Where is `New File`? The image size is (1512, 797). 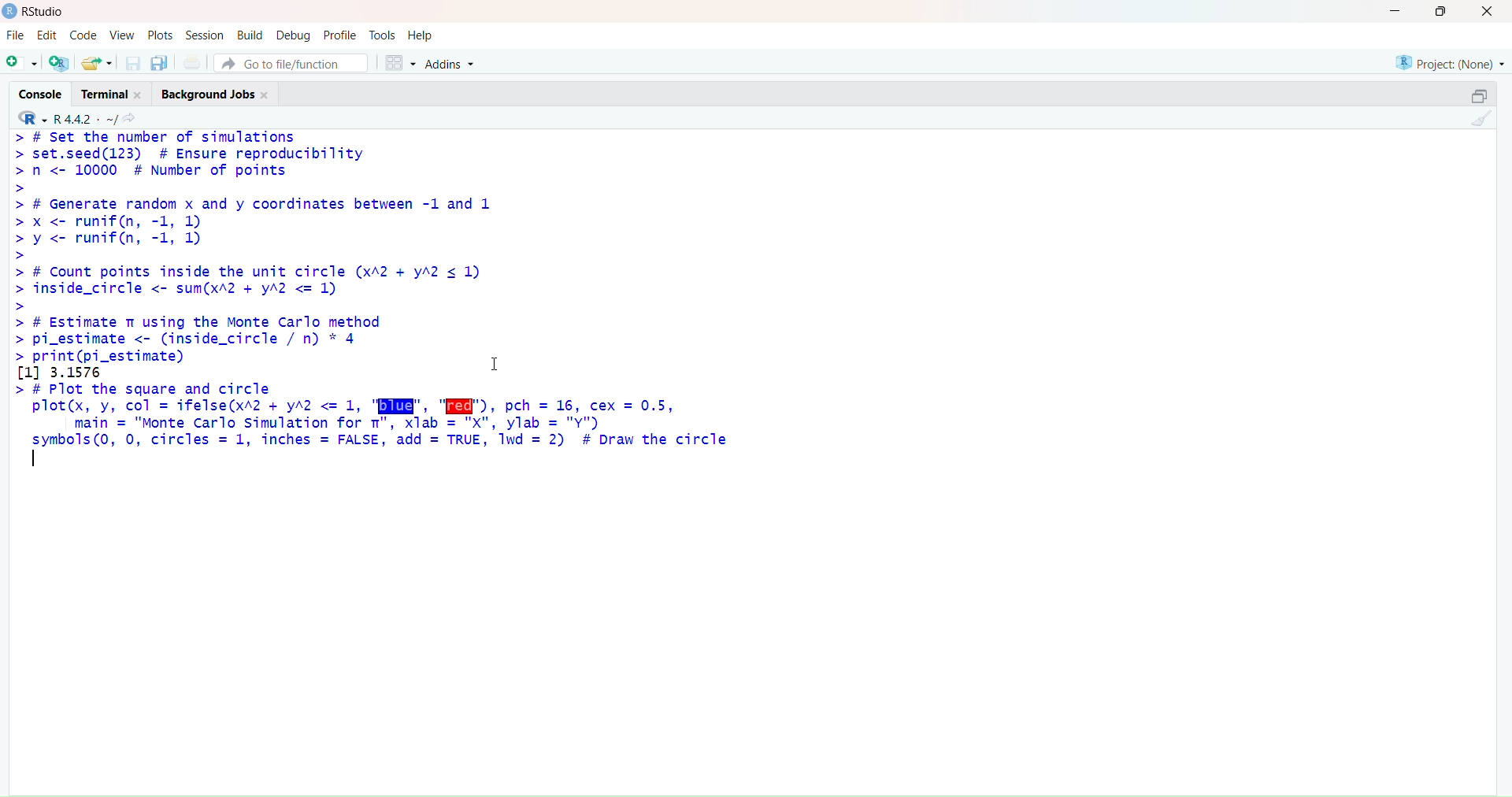
New File is located at coordinates (22, 63).